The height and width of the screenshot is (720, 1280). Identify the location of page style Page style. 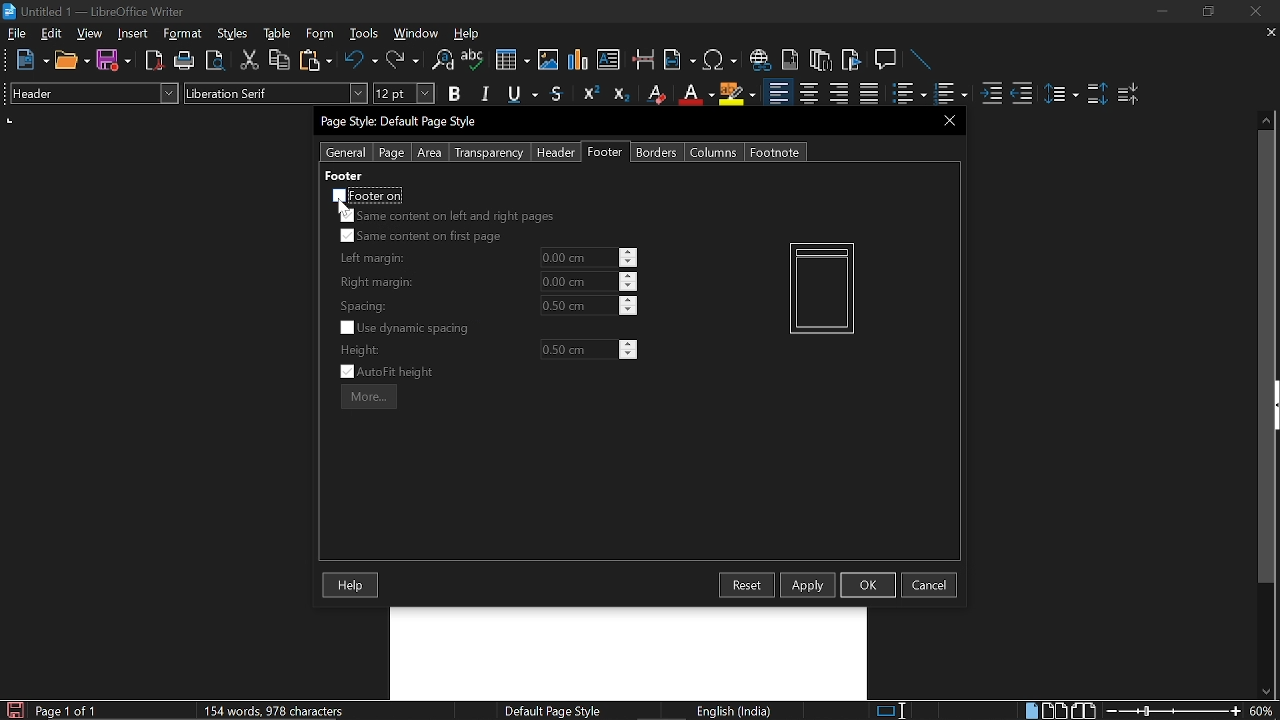
(556, 711).